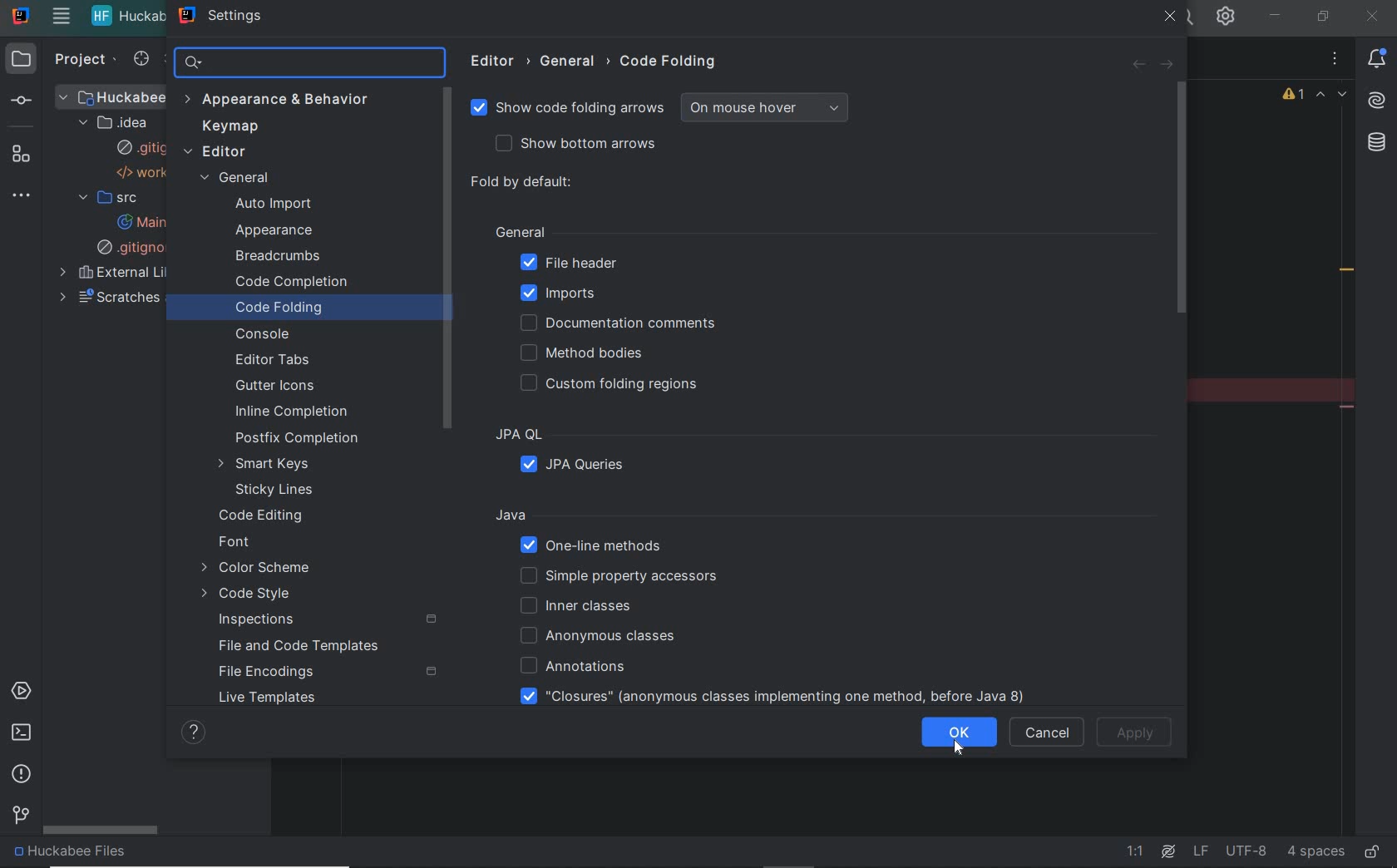  Describe the element at coordinates (220, 151) in the screenshot. I see `editor` at that location.